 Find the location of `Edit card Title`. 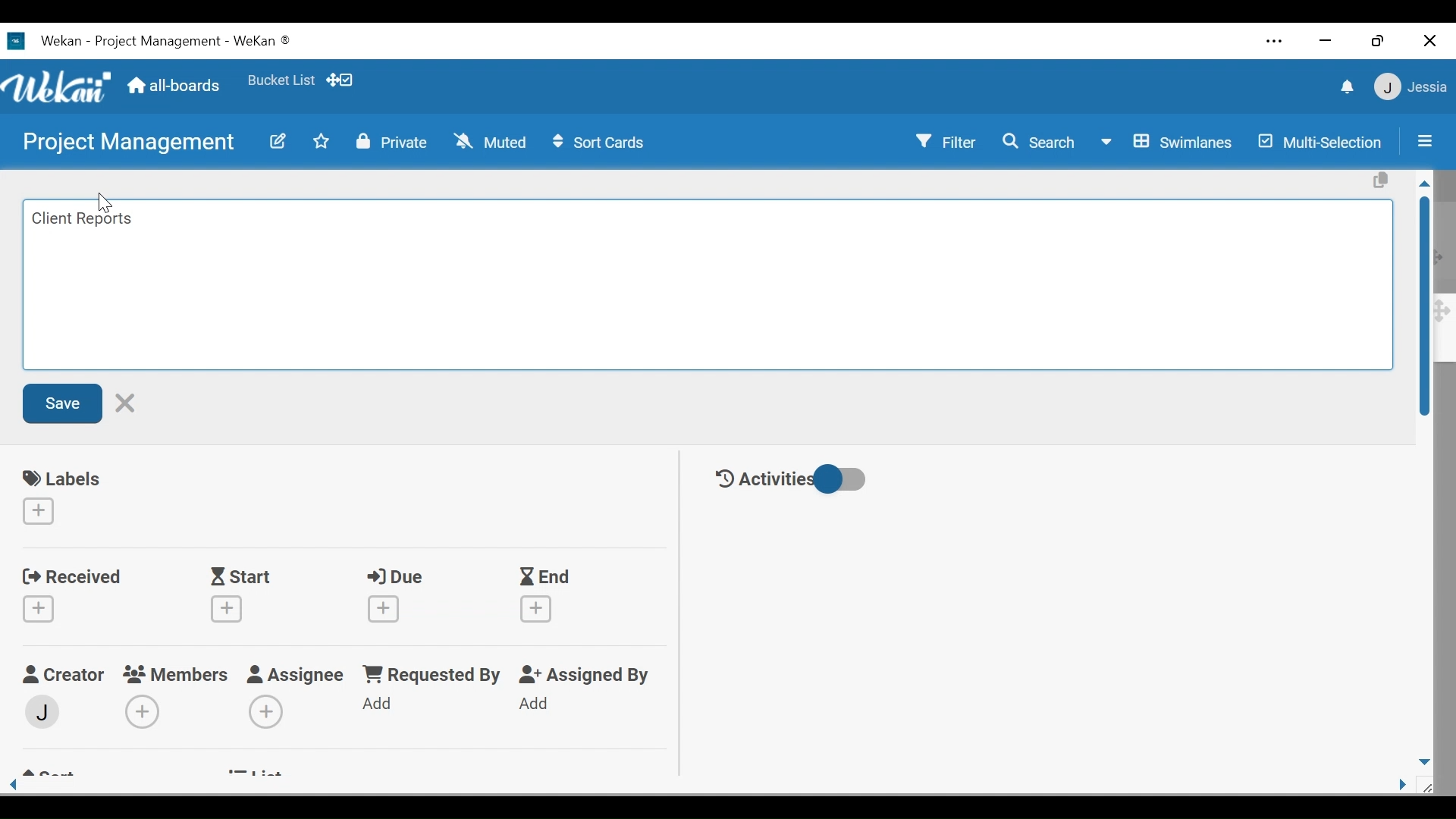

Edit card Title is located at coordinates (708, 283).